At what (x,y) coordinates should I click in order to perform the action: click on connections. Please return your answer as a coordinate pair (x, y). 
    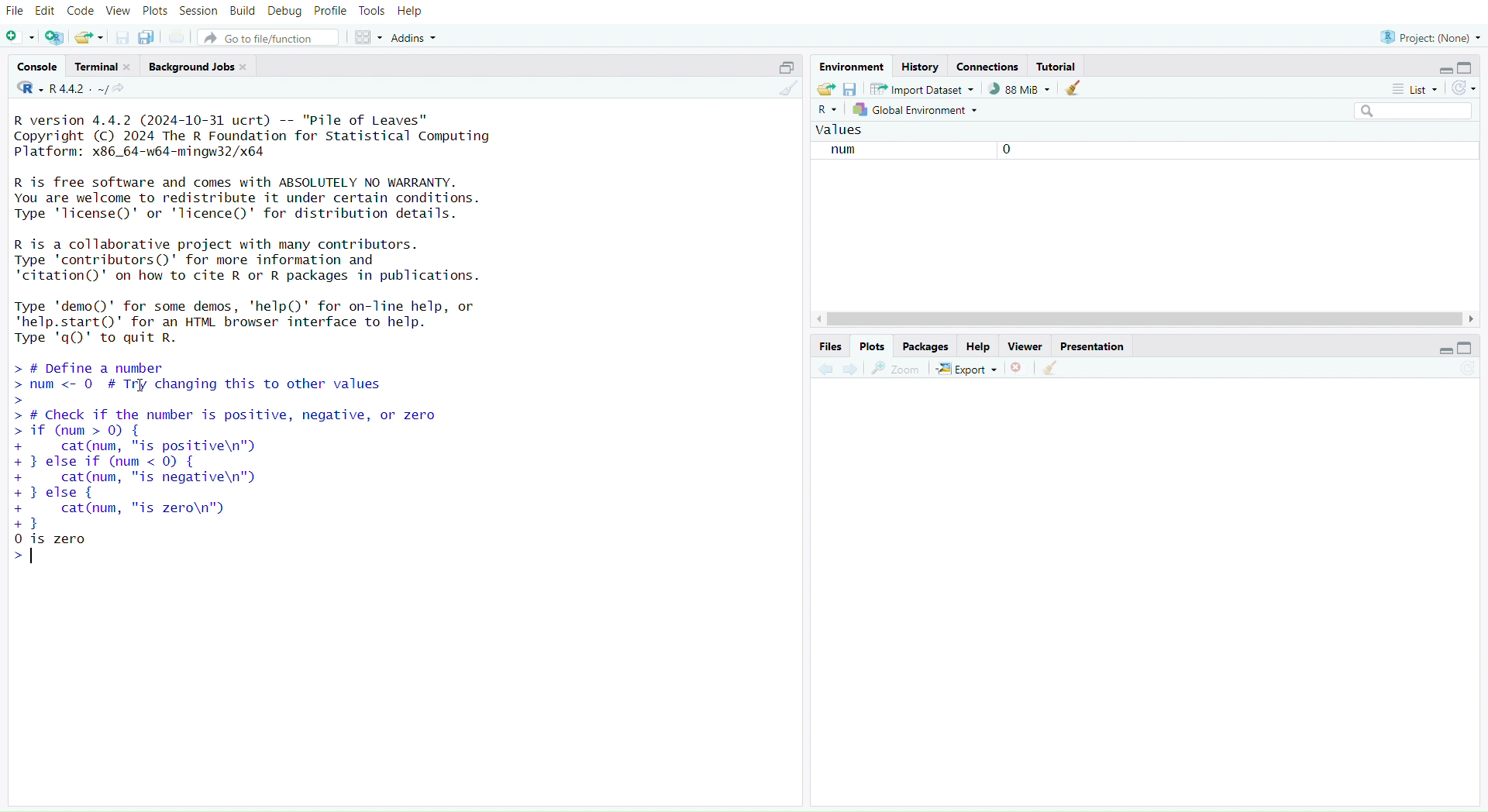
    Looking at the image, I should click on (990, 68).